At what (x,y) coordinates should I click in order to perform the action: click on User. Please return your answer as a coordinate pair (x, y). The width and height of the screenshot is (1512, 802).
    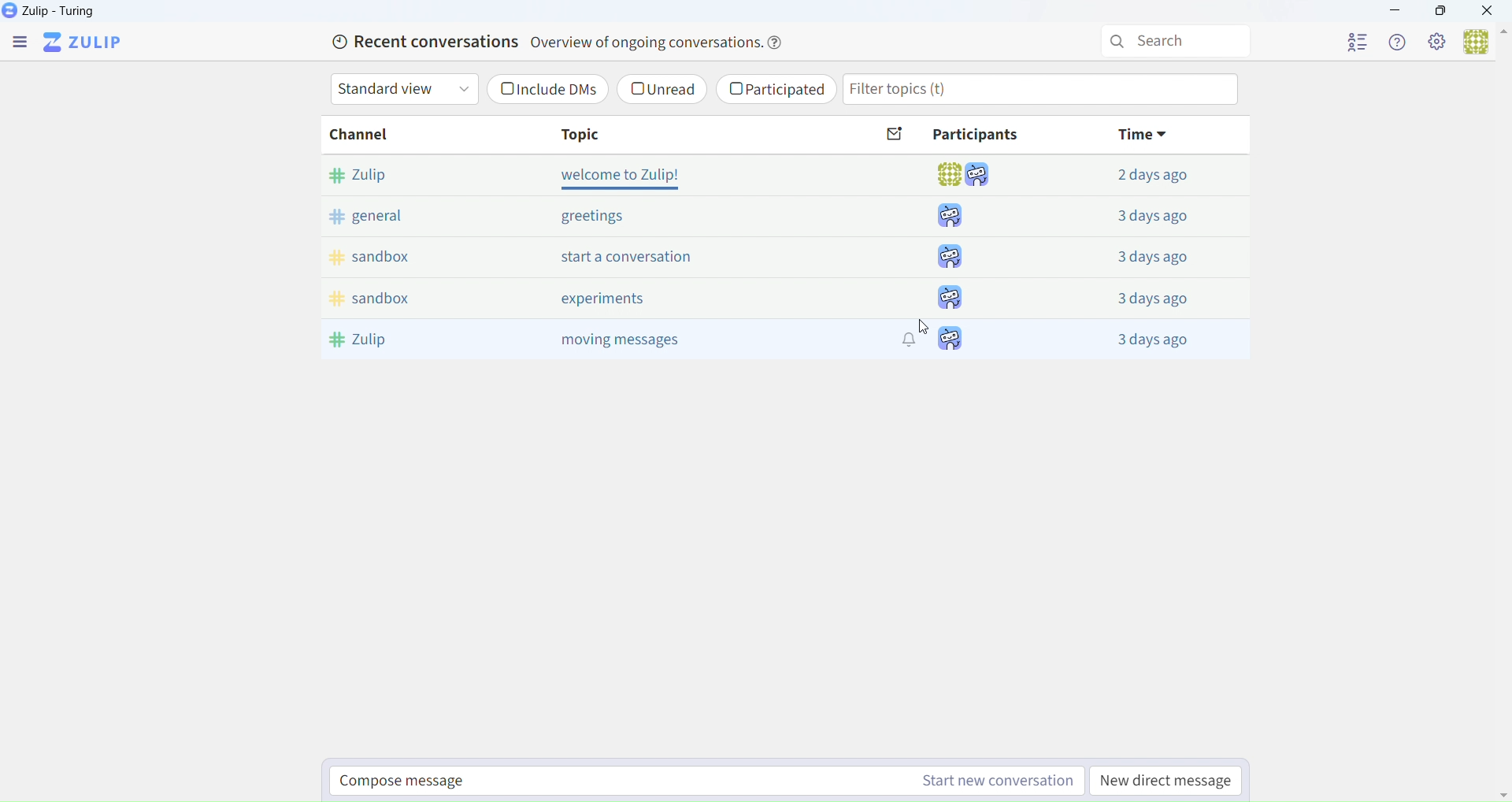
    Looking at the image, I should click on (1483, 43).